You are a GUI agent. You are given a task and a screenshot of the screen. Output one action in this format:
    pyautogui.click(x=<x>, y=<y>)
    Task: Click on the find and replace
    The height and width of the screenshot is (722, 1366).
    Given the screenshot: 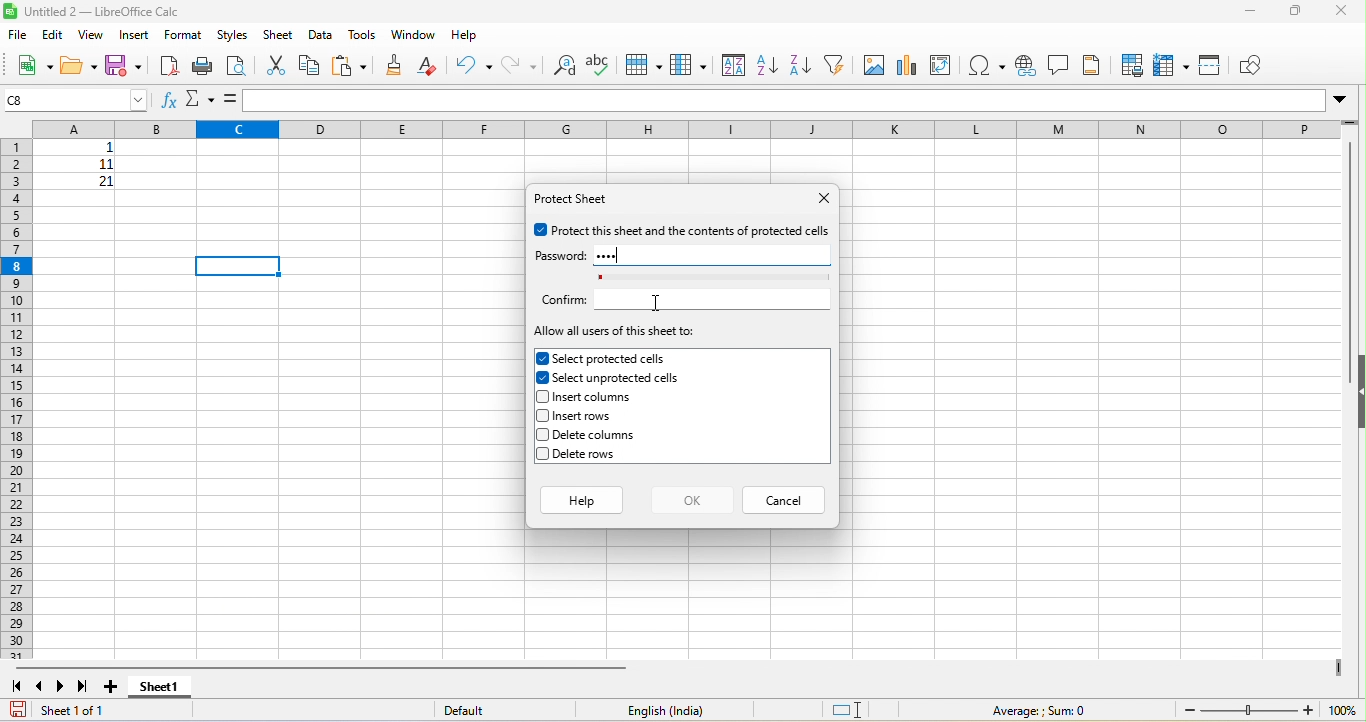 What is the action you would take?
    pyautogui.click(x=561, y=65)
    